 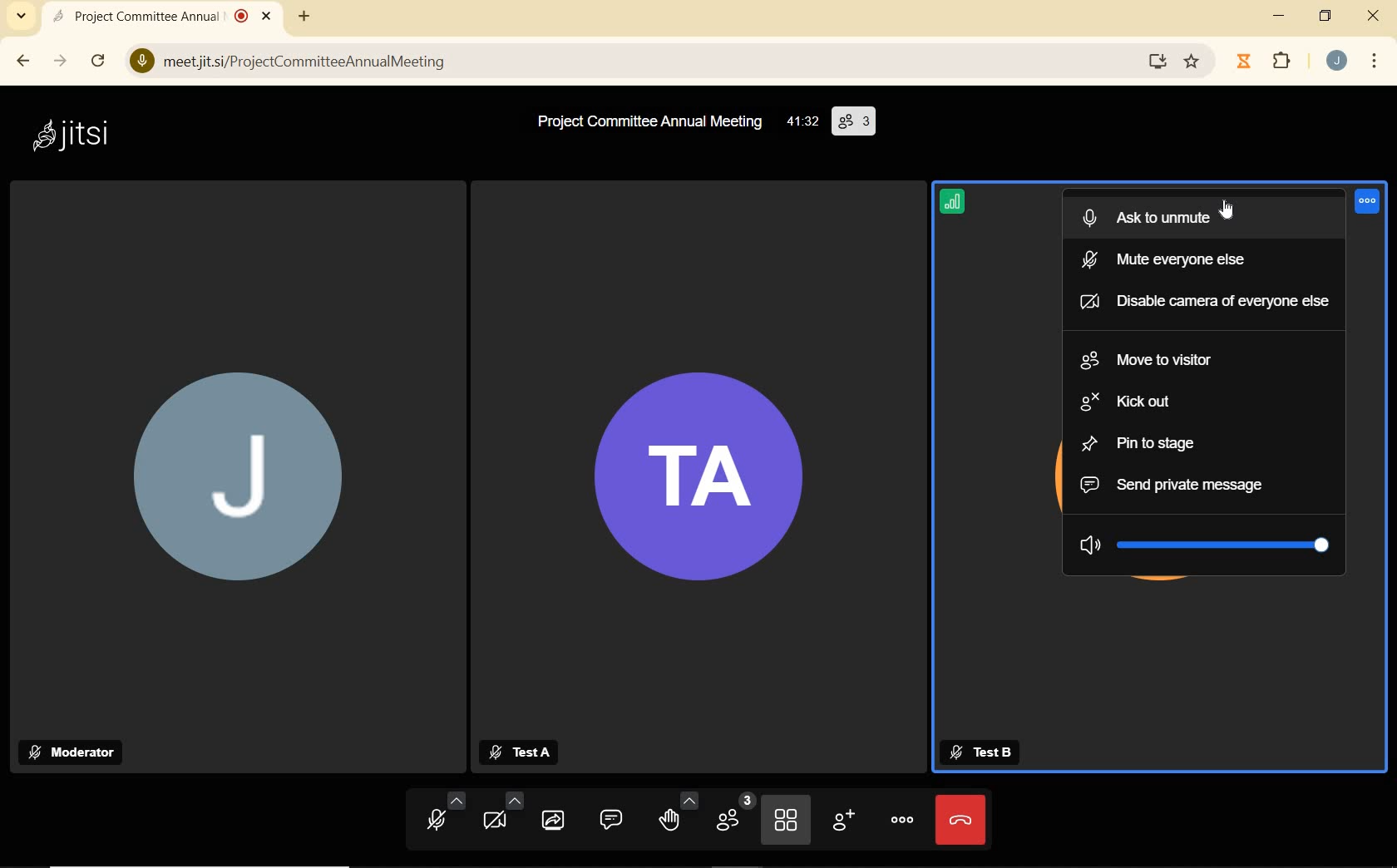 I want to click on FORWARD, so click(x=61, y=62).